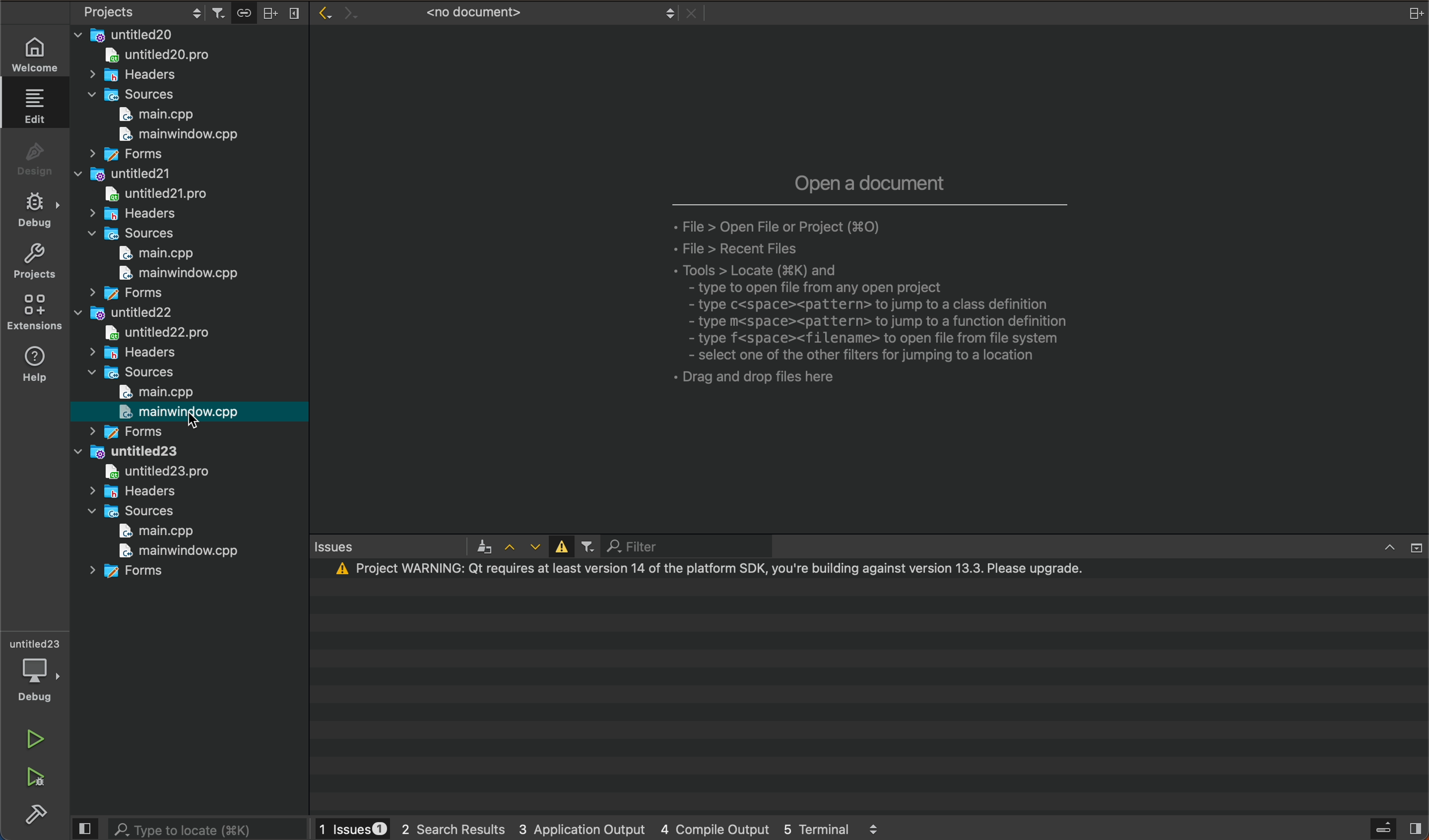 Image resolution: width=1429 pixels, height=840 pixels. Describe the element at coordinates (152, 193) in the screenshot. I see `untitled20pro` at that location.